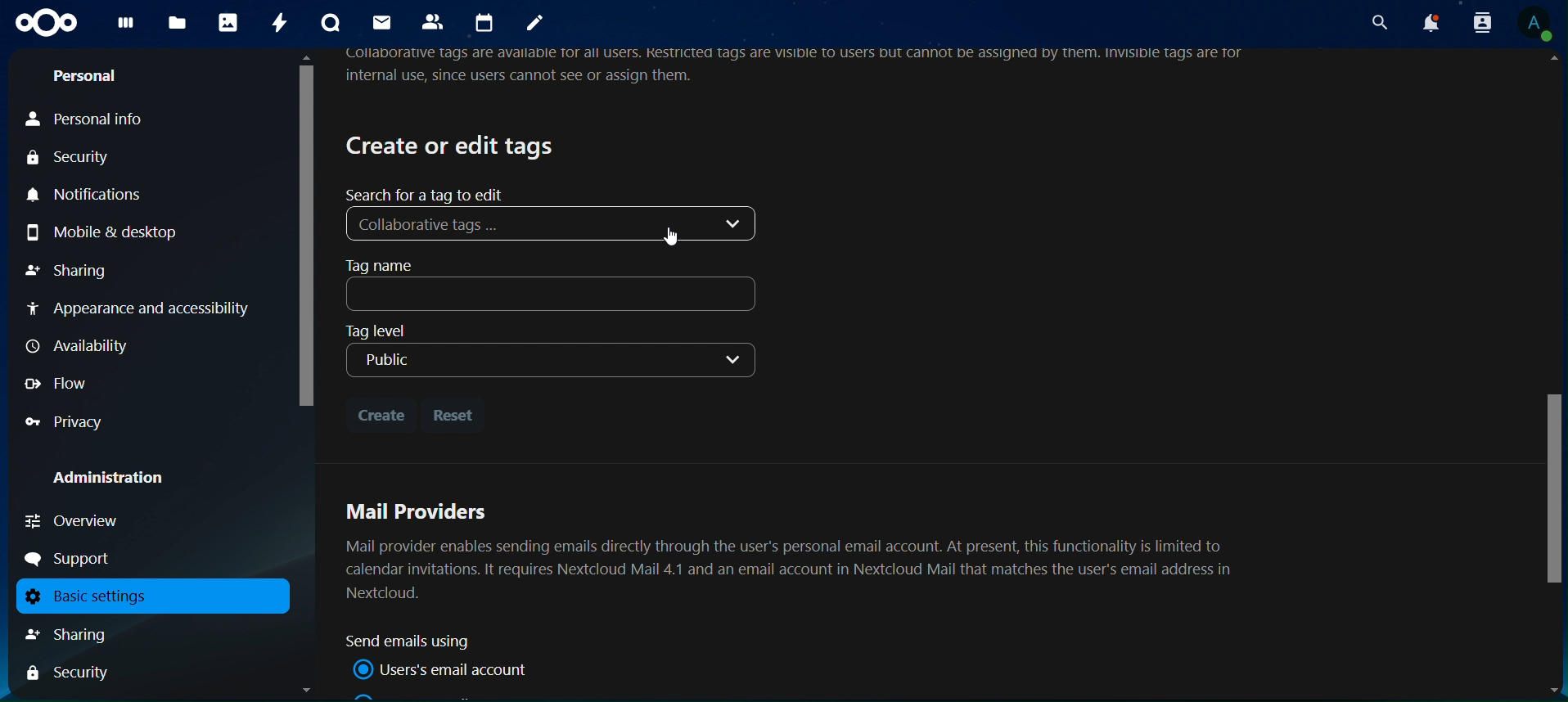 The image size is (1568, 702). Describe the element at coordinates (549, 362) in the screenshot. I see `Public ` at that location.